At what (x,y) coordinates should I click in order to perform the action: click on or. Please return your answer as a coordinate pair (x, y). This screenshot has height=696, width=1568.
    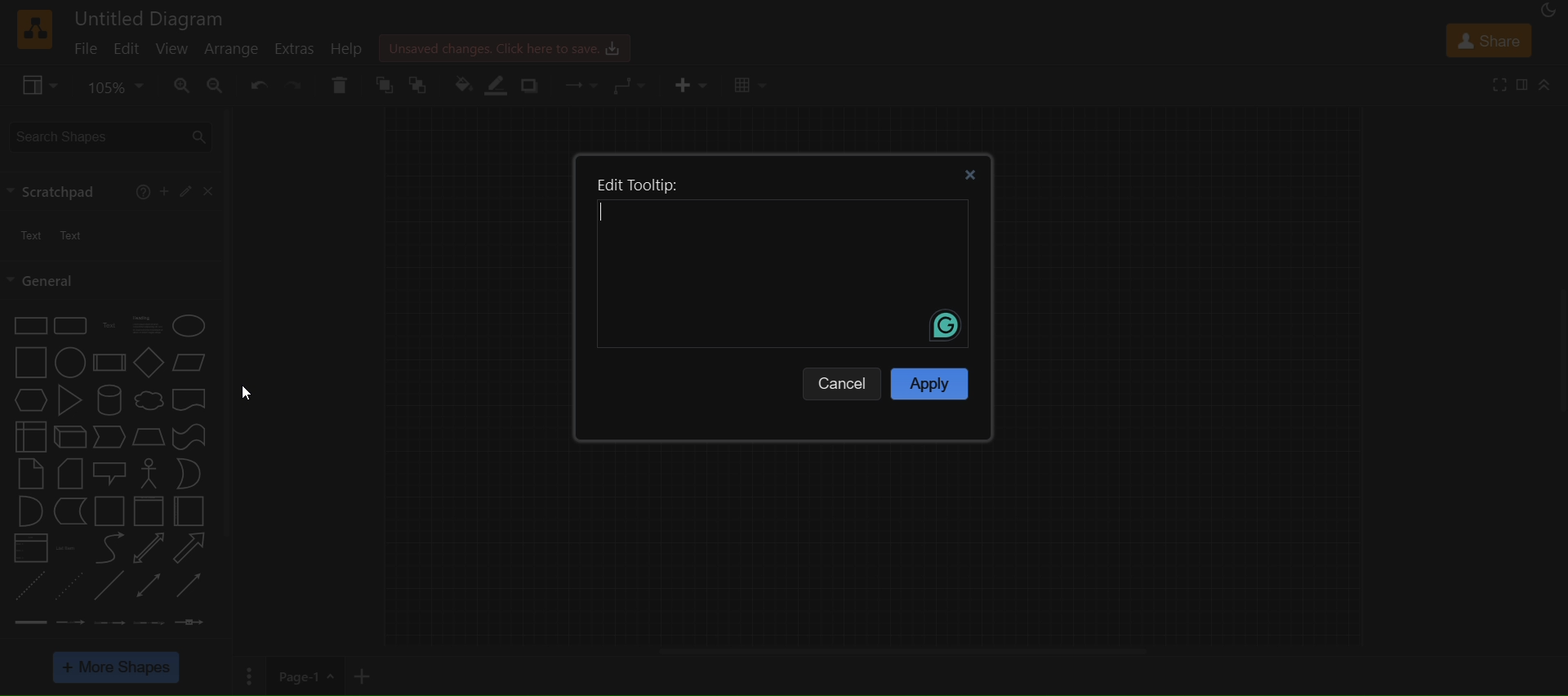
    Looking at the image, I should click on (189, 474).